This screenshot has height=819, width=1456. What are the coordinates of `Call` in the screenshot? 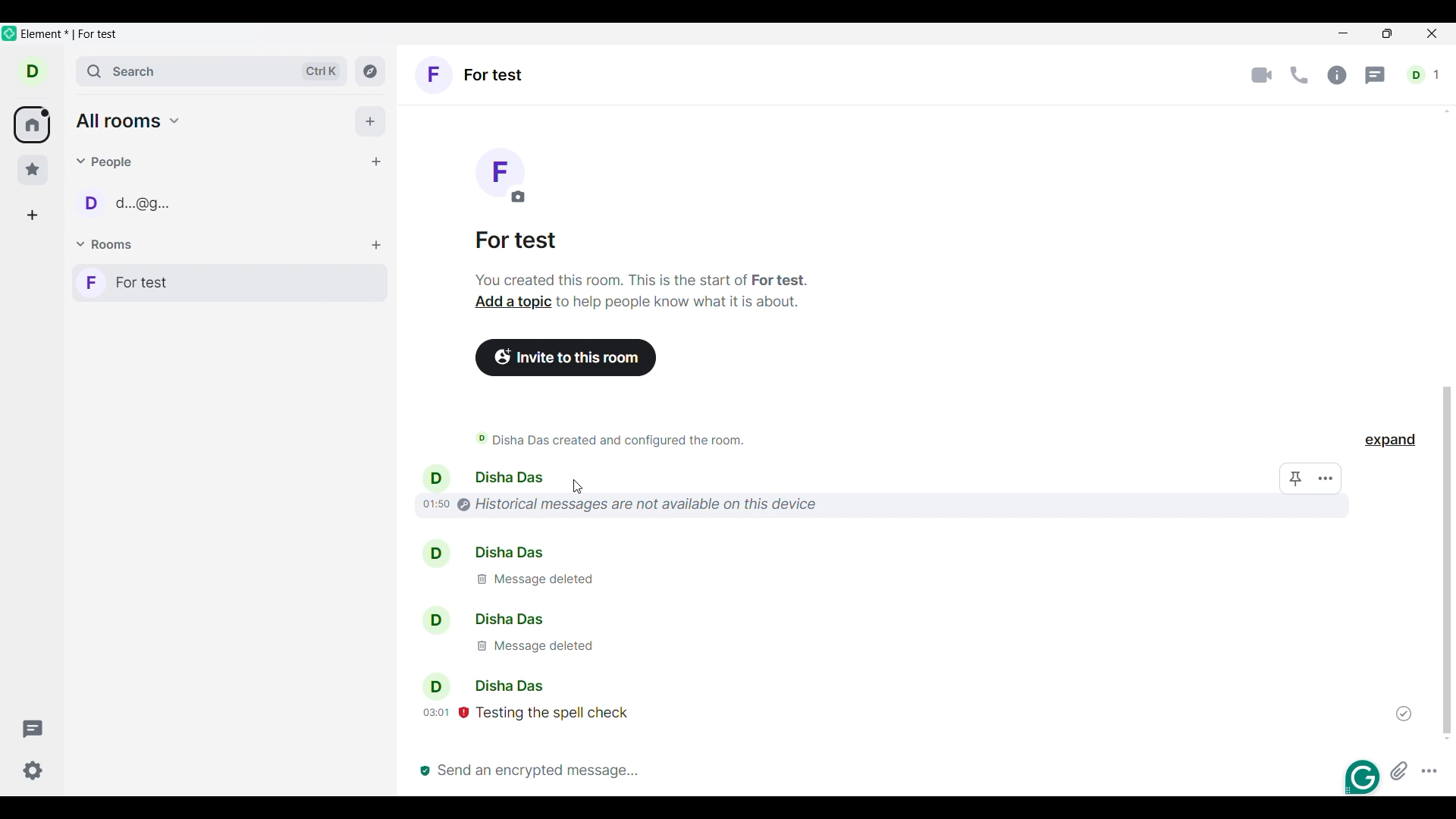 It's located at (1299, 75).